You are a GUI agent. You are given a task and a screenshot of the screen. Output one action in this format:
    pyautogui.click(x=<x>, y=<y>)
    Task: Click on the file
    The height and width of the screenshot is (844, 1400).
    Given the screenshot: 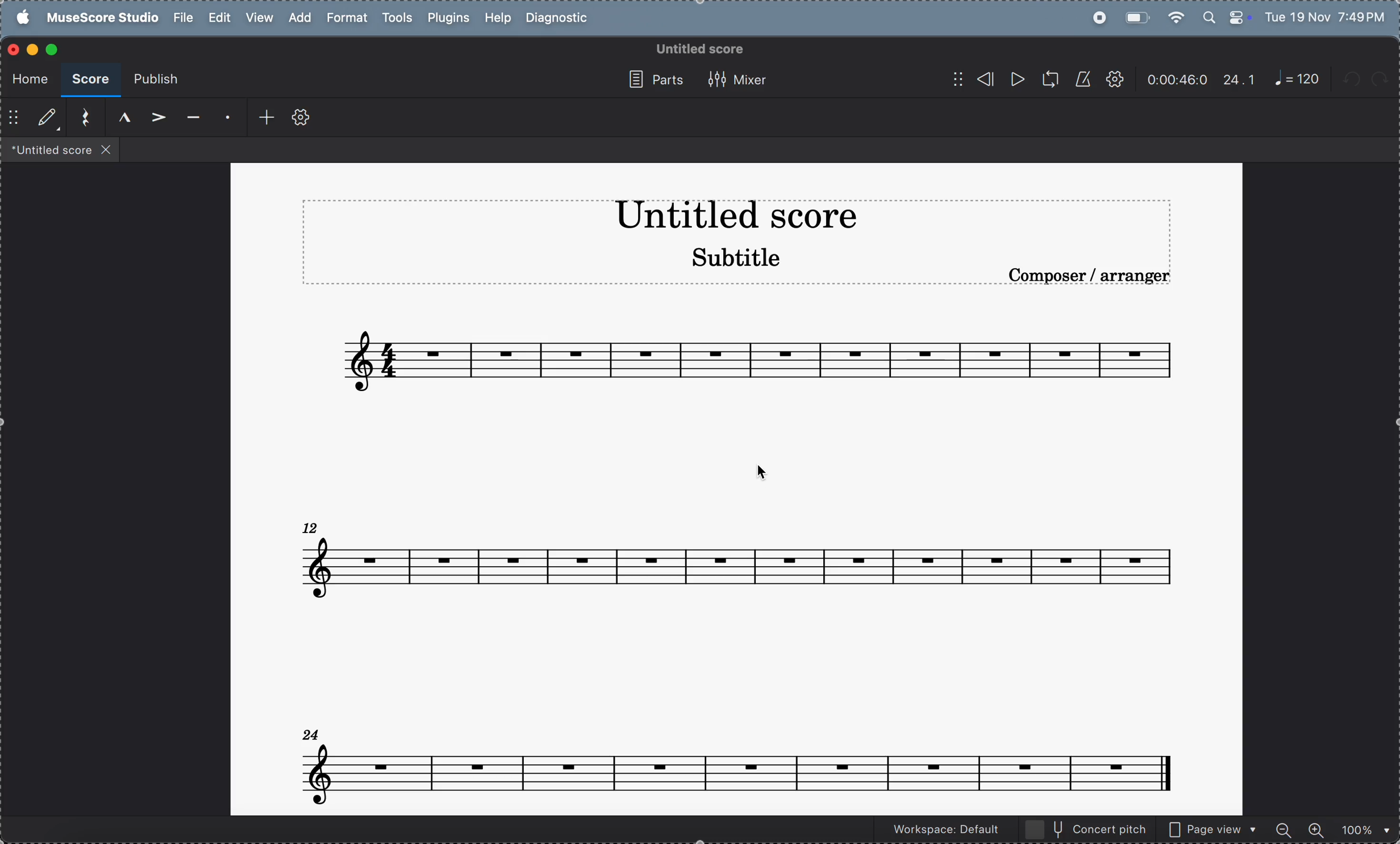 What is the action you would take?
    pyautogui.click(x=183, y=18)
    